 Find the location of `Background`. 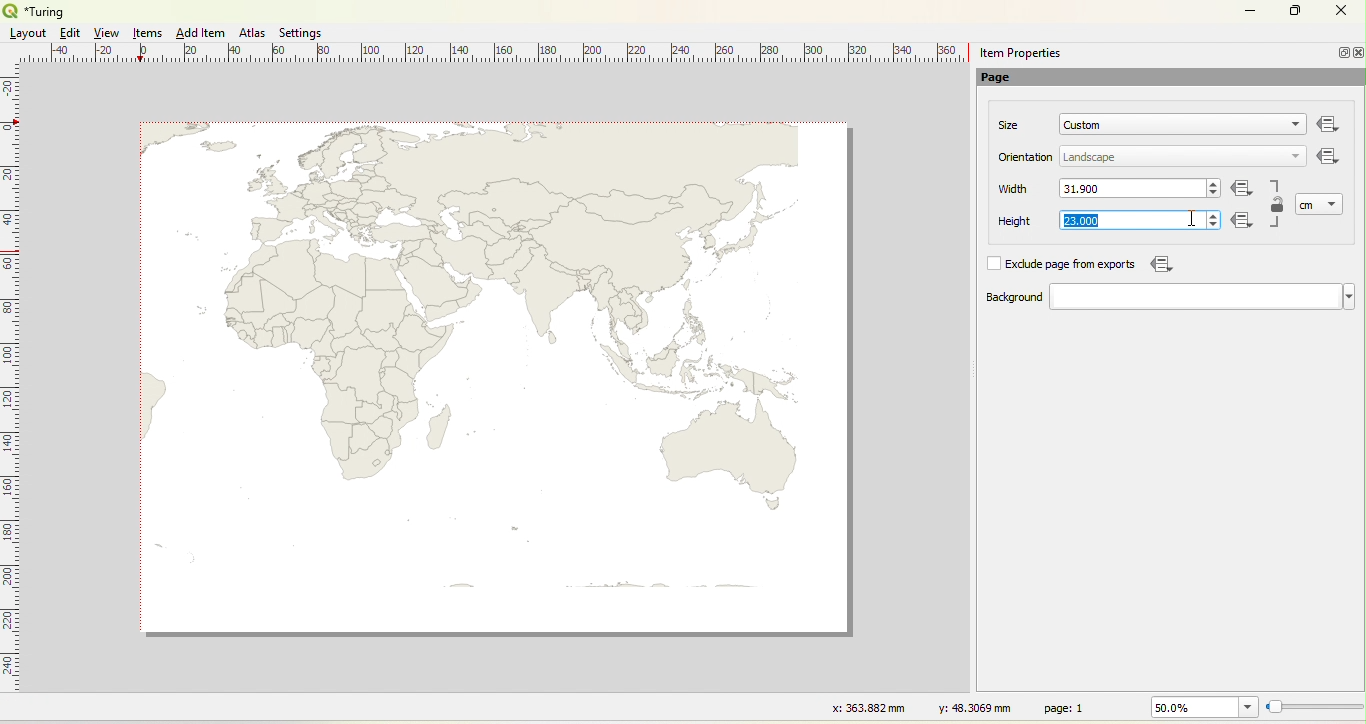

Background is located at coordinates (994, 298).